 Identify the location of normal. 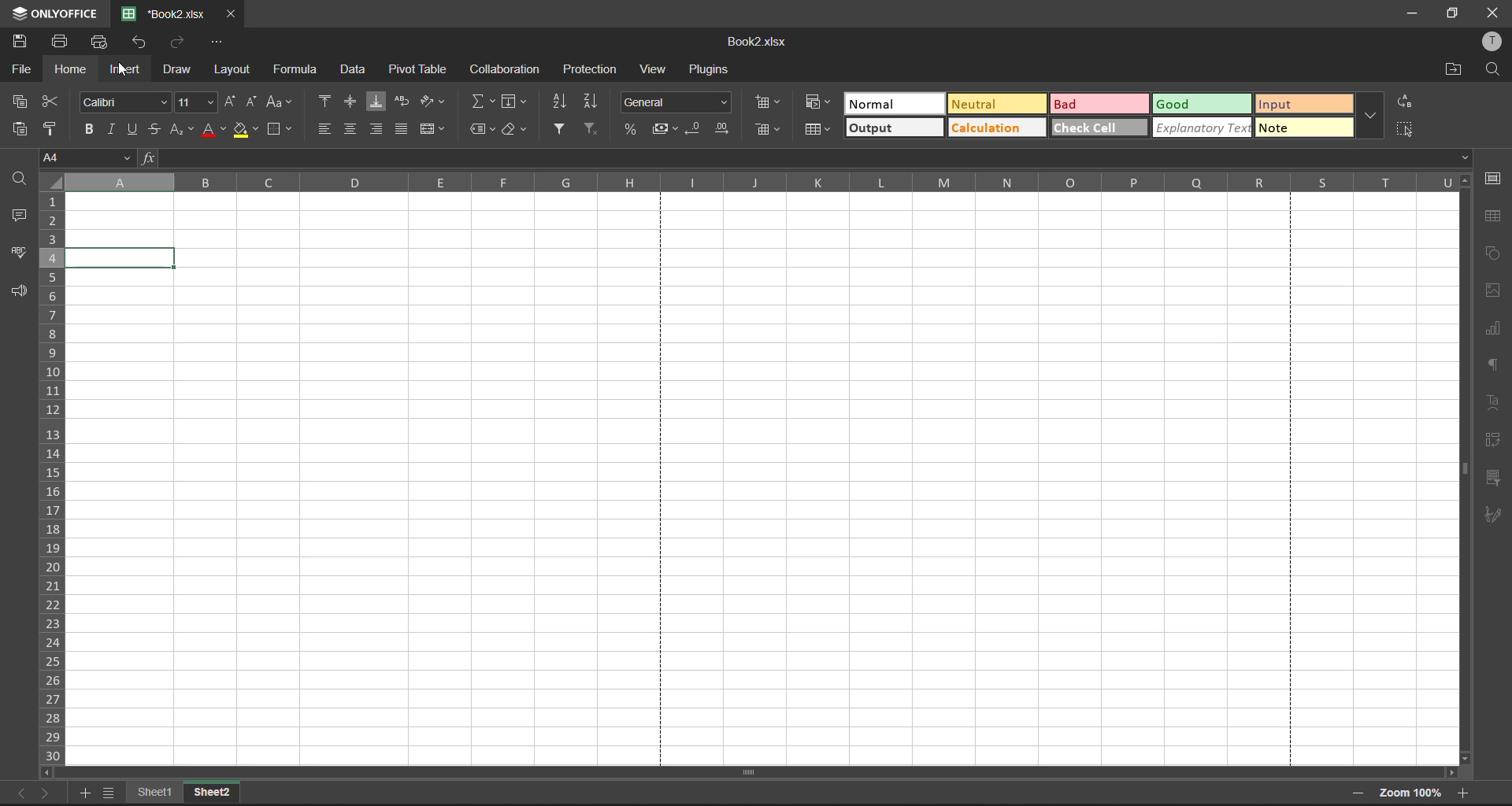
(894, 103).